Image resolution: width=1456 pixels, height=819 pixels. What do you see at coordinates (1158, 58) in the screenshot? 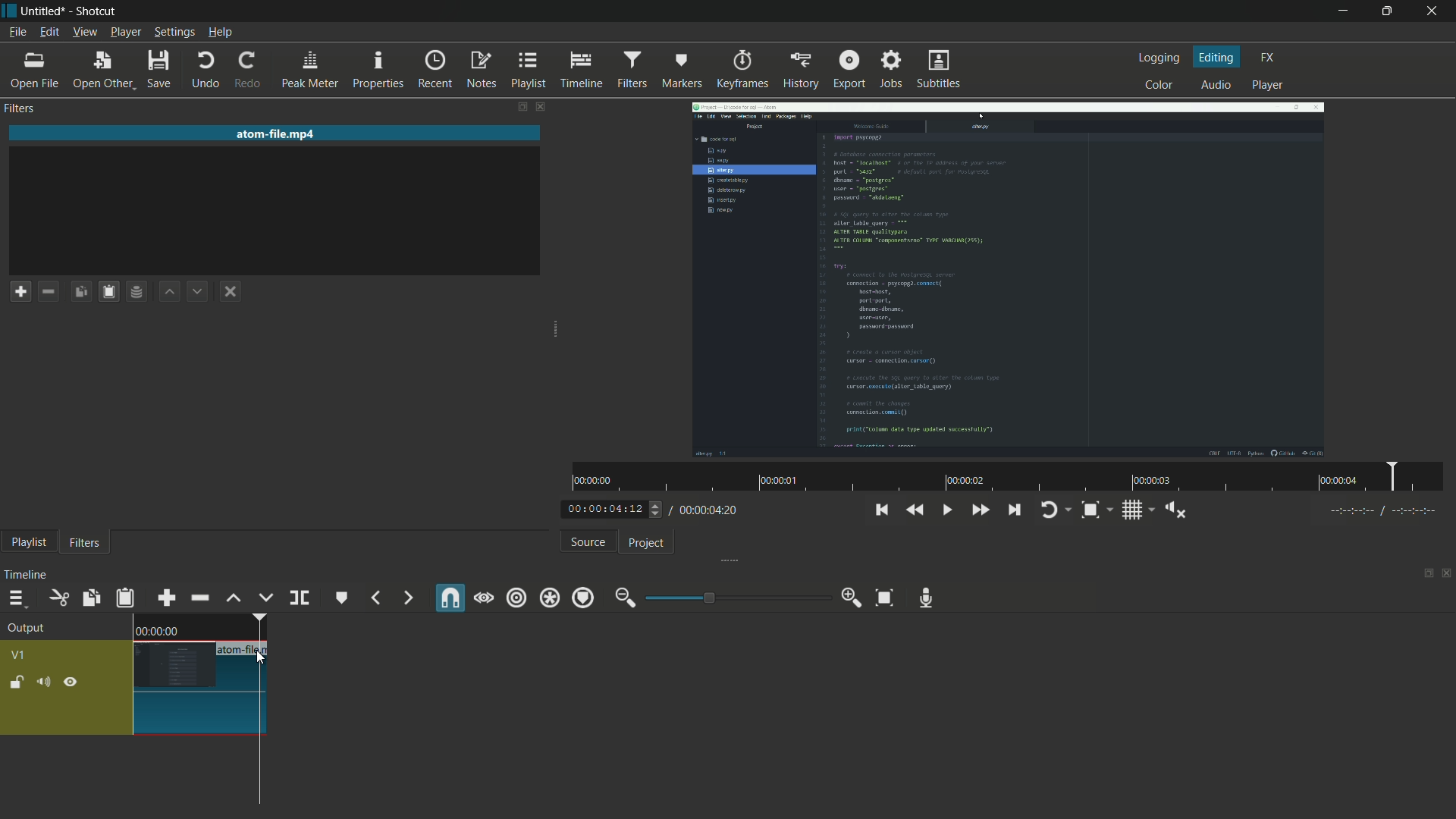
I see `logging` at bounding box center [1158, 58].